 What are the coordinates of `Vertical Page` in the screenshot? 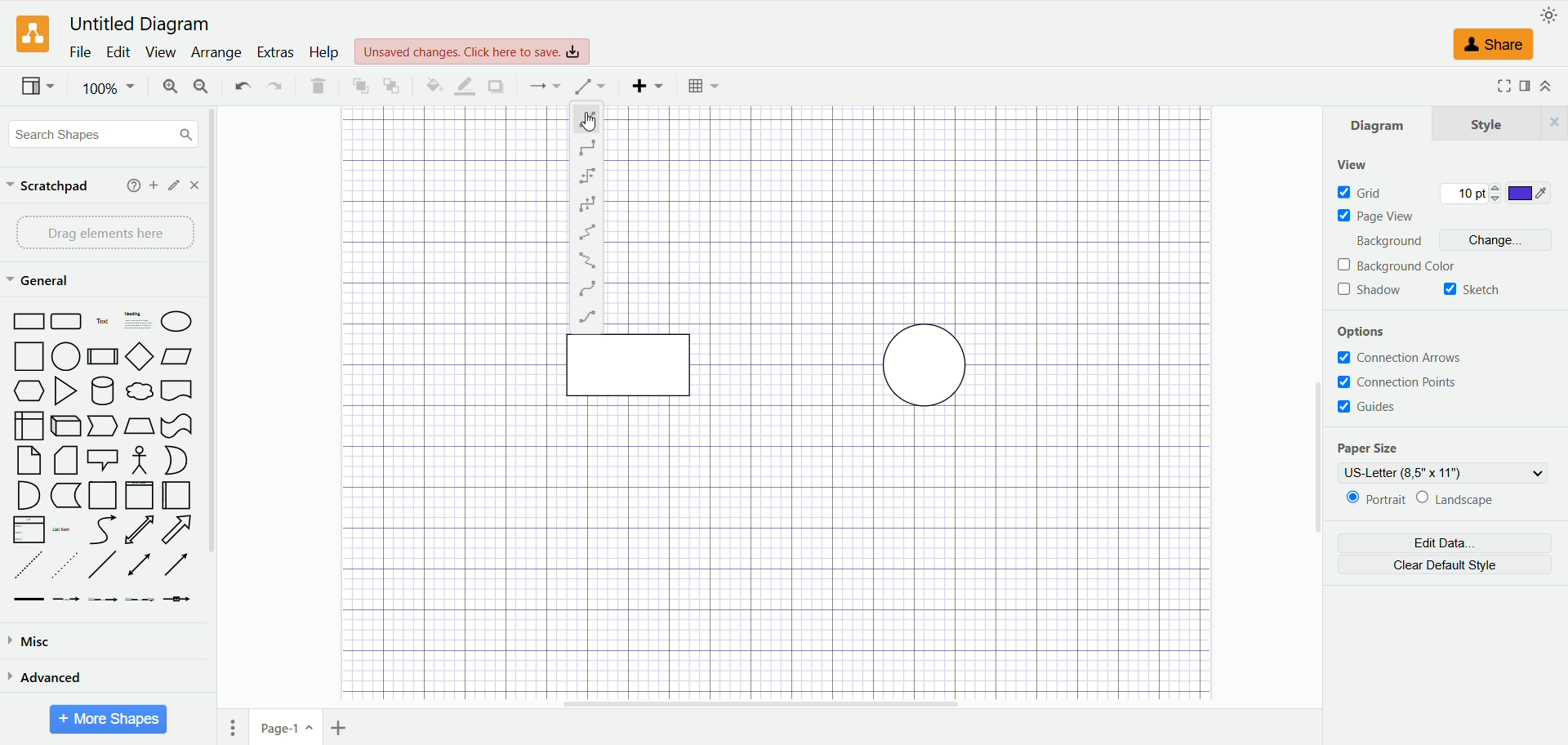 It's located at (140, 495).